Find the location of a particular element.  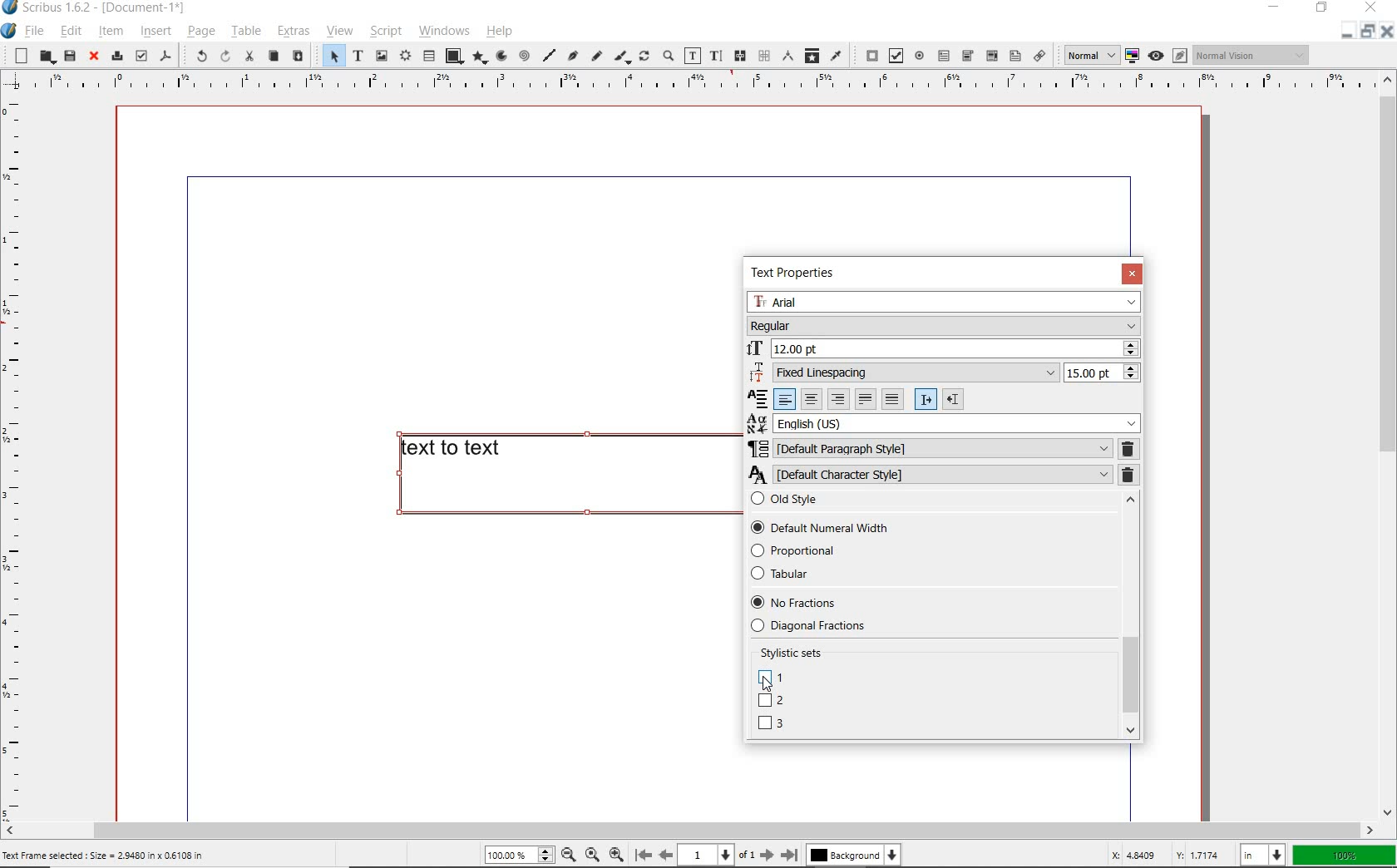

Center align is located at coordinates (811, 399).